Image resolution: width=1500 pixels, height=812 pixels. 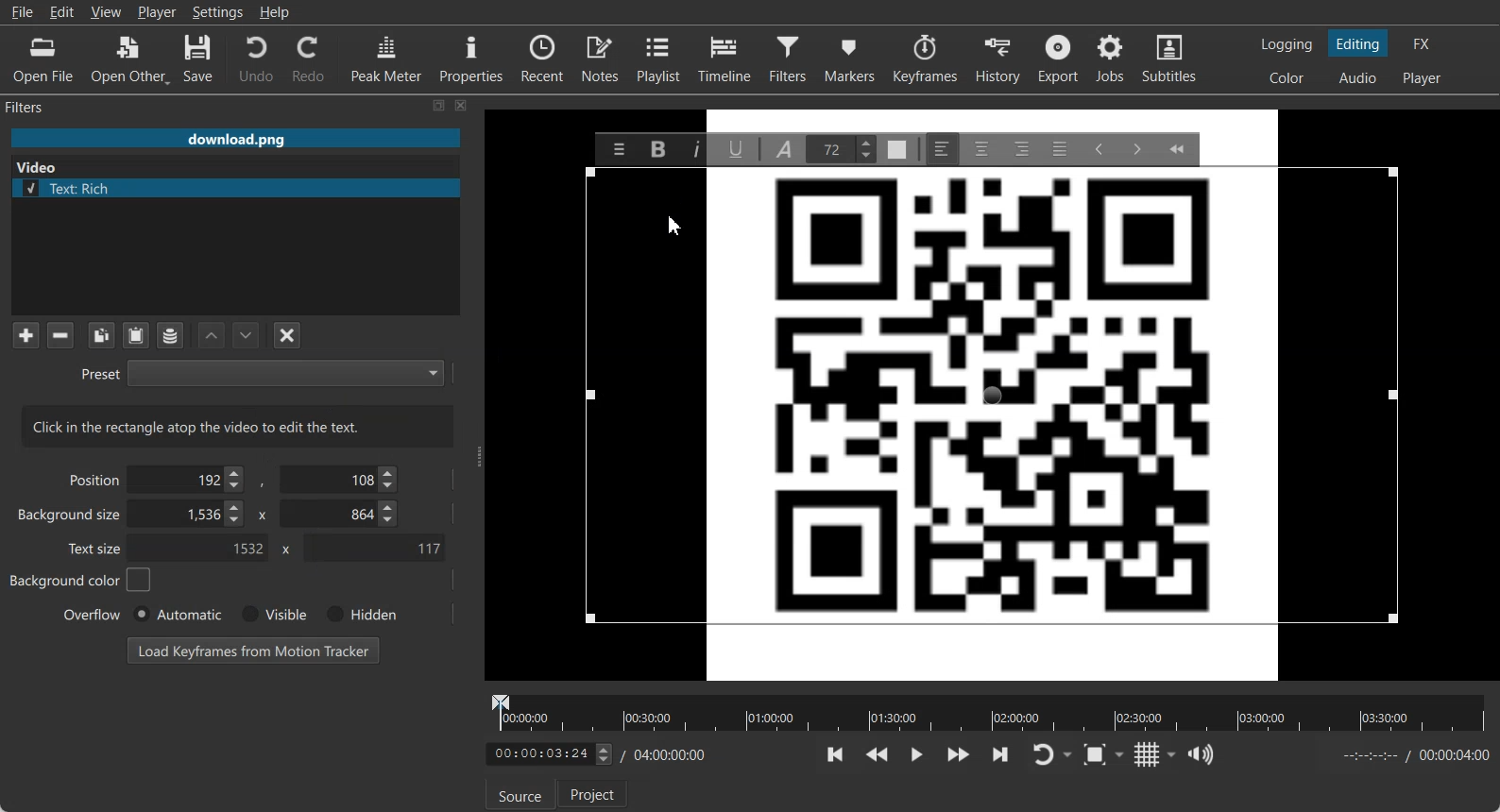 What do you see at coordinates (991, 397) in the screenshot?
I see `Text Frame` at bounding box center [991, 397].